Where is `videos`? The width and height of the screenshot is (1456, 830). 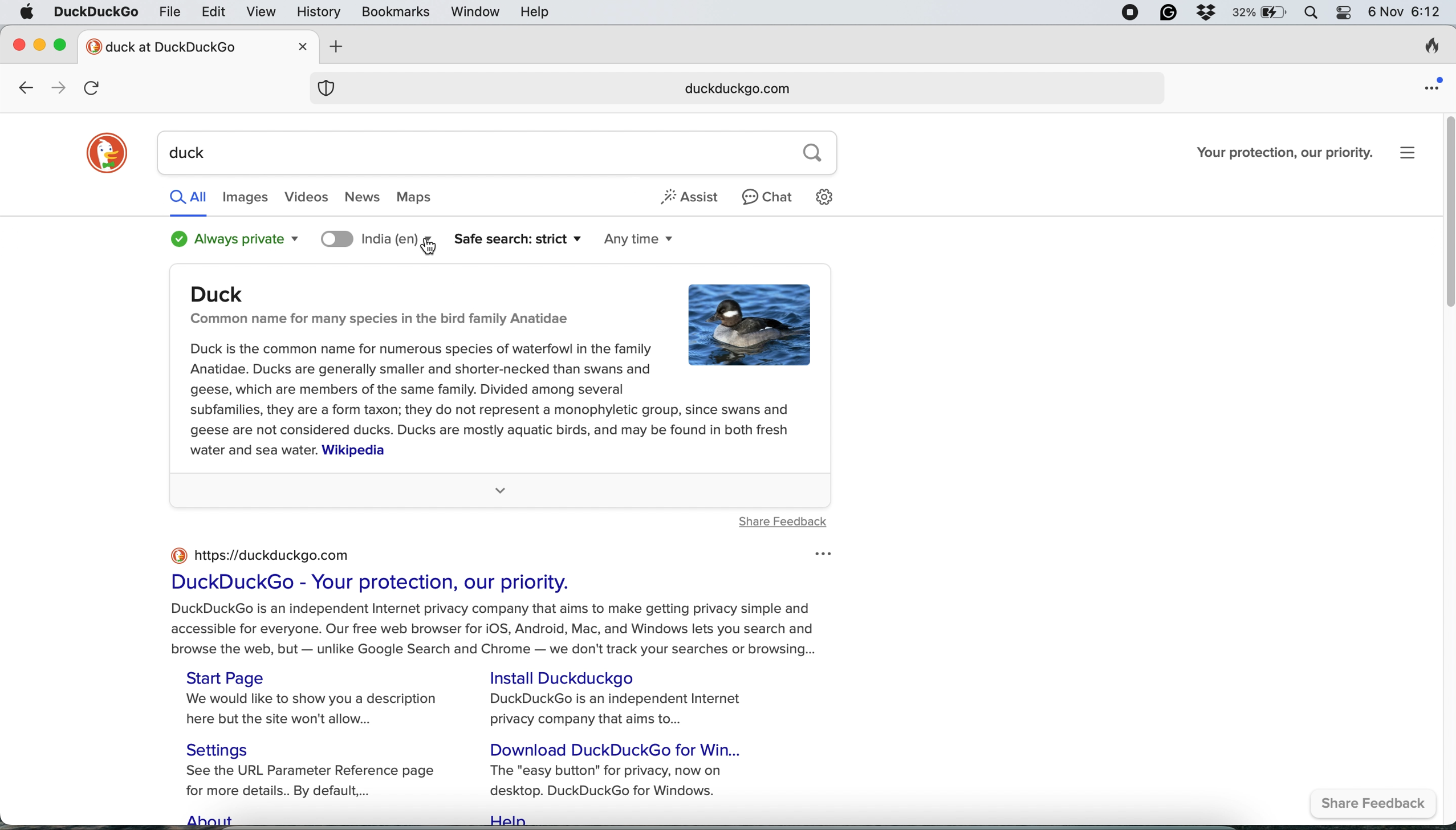 videos is located at coordinates (309, 198).